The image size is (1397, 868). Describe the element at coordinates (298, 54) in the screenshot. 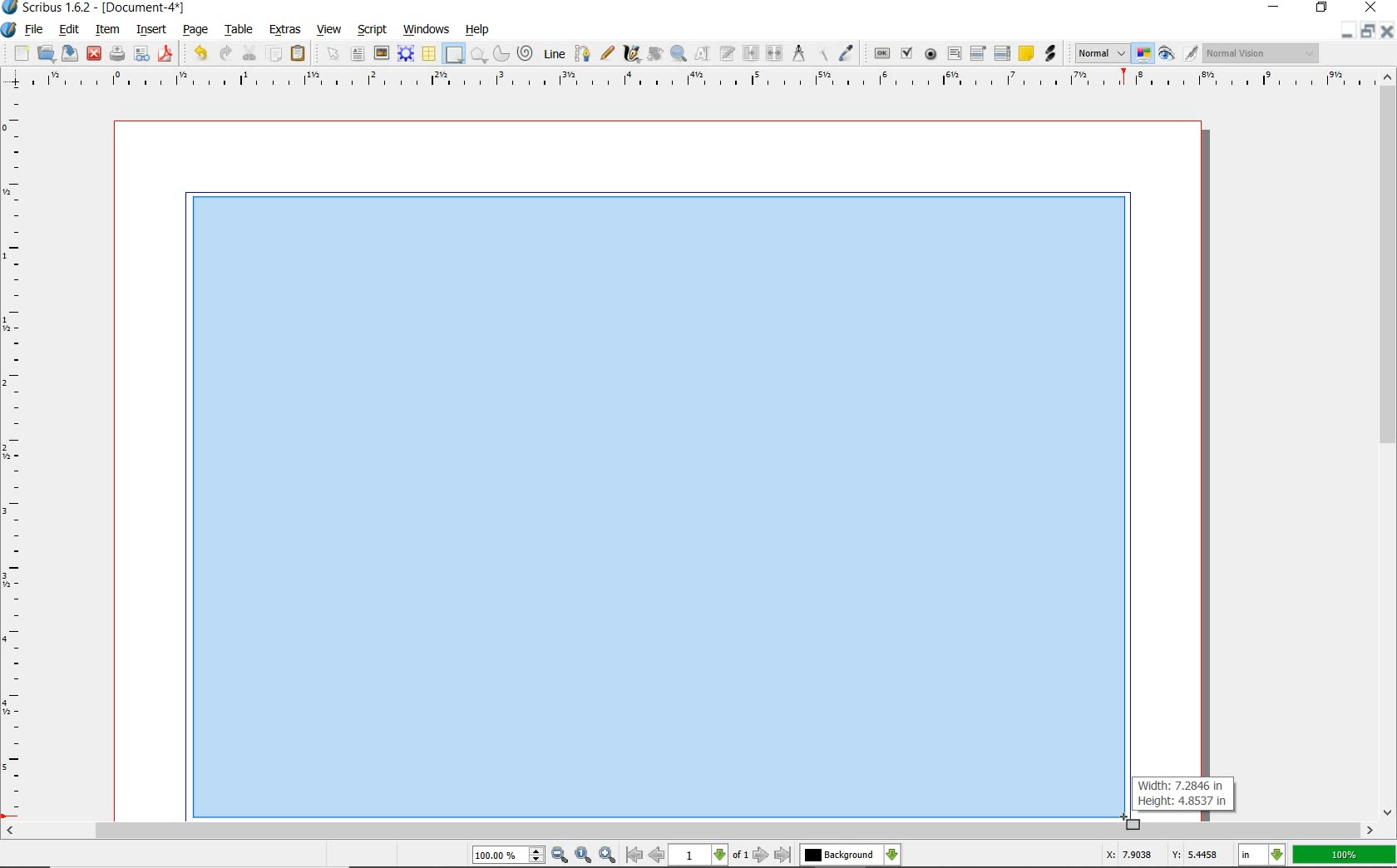

I see `paste` at that location.